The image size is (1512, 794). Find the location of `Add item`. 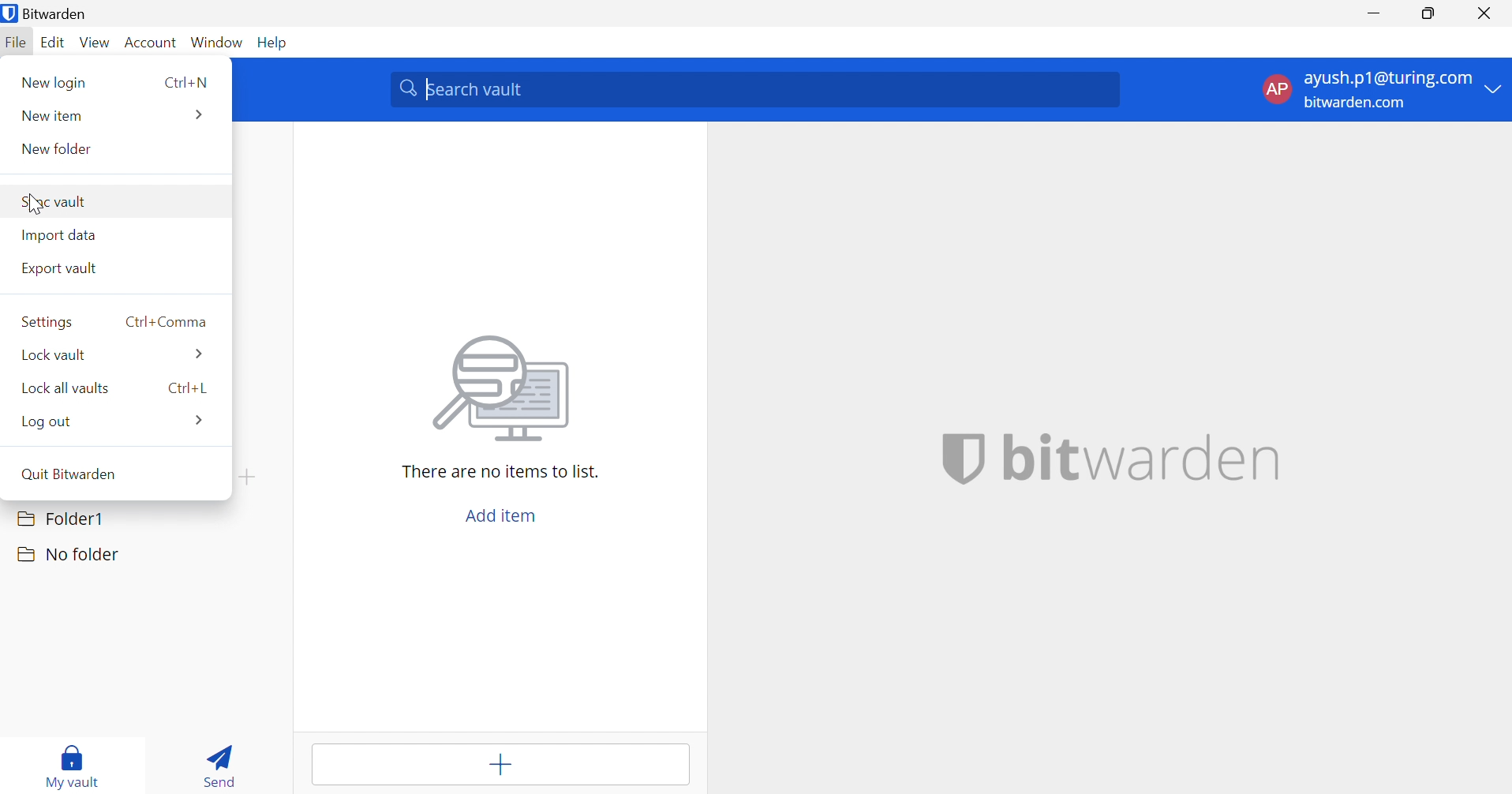

Add item is located at coordinates (498, 765).